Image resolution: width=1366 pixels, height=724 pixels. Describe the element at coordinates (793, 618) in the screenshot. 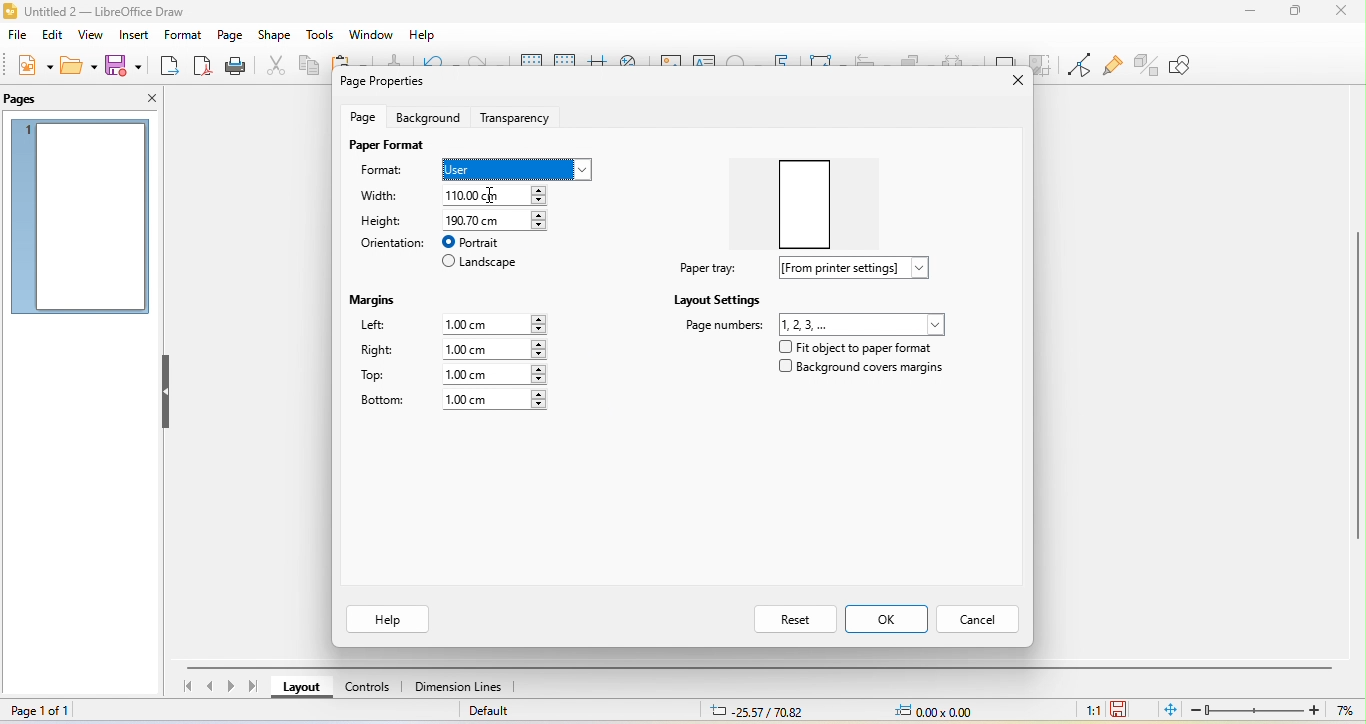

I see `reset` at that location.